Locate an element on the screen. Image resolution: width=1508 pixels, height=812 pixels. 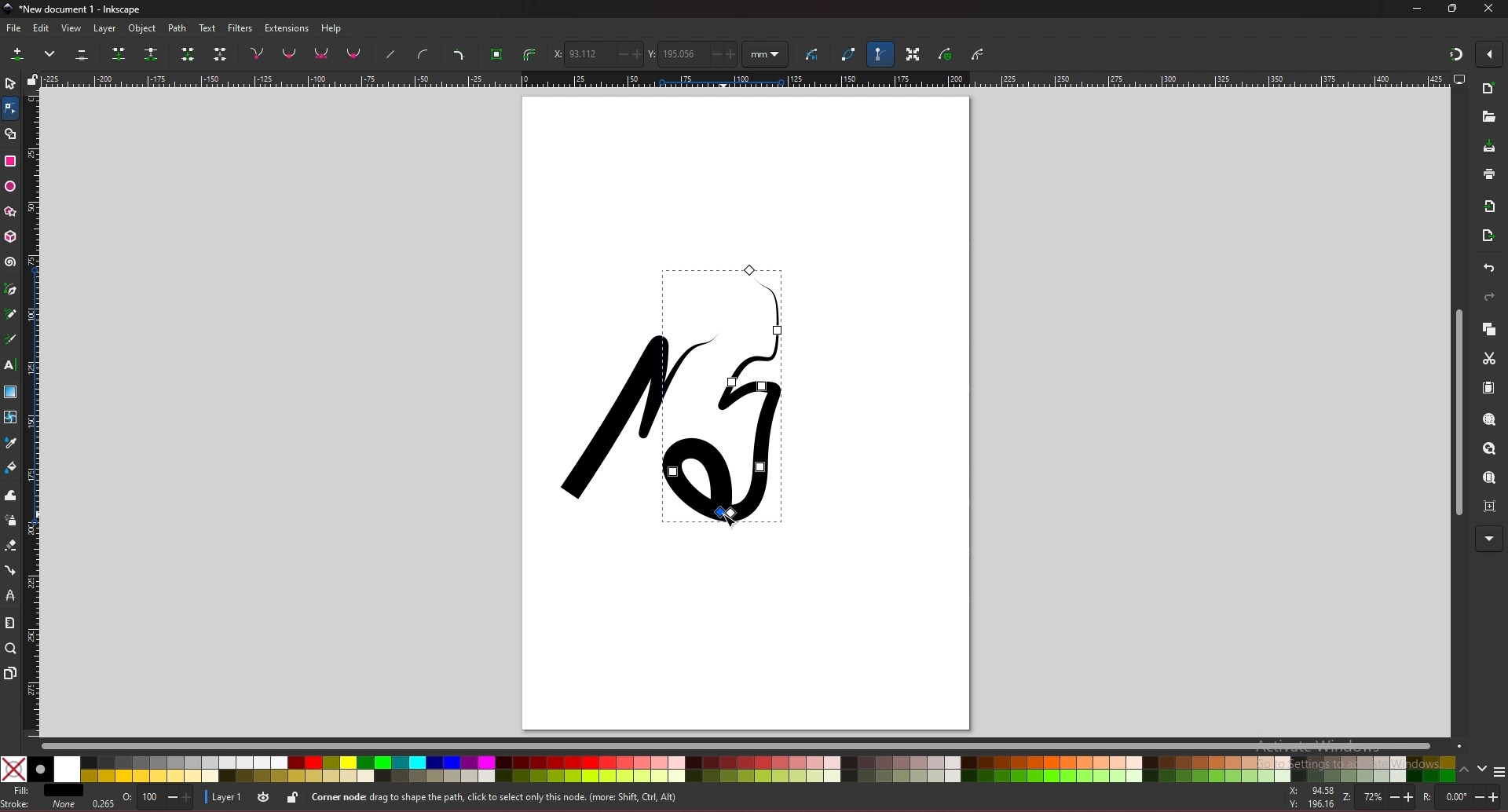
measure is located at coordinates (10, 621).